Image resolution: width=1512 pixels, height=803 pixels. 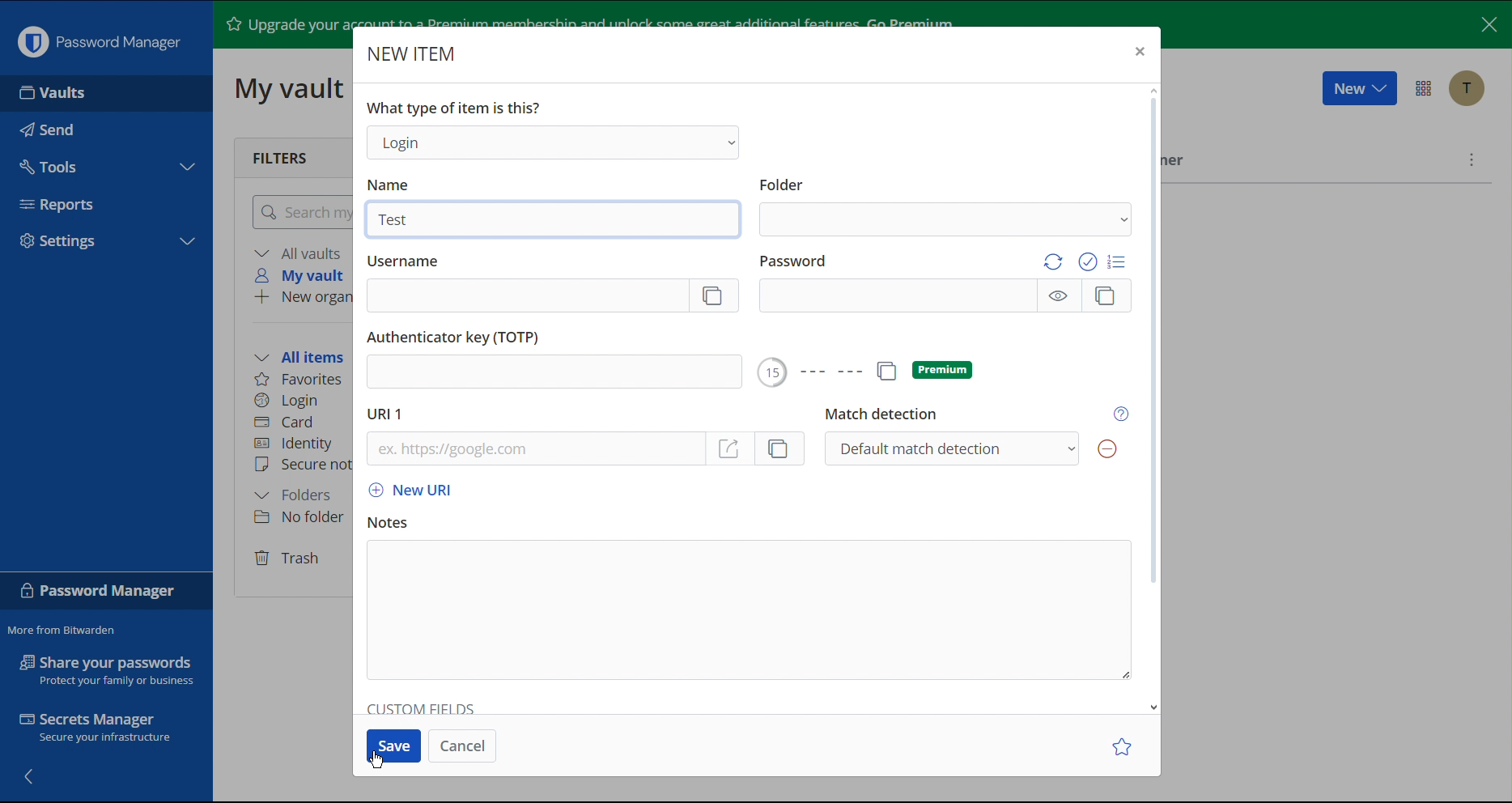 What do you see at coordinates (290, 559) in the screenshot?
I see `Trash` at bounding box center [290, 559].